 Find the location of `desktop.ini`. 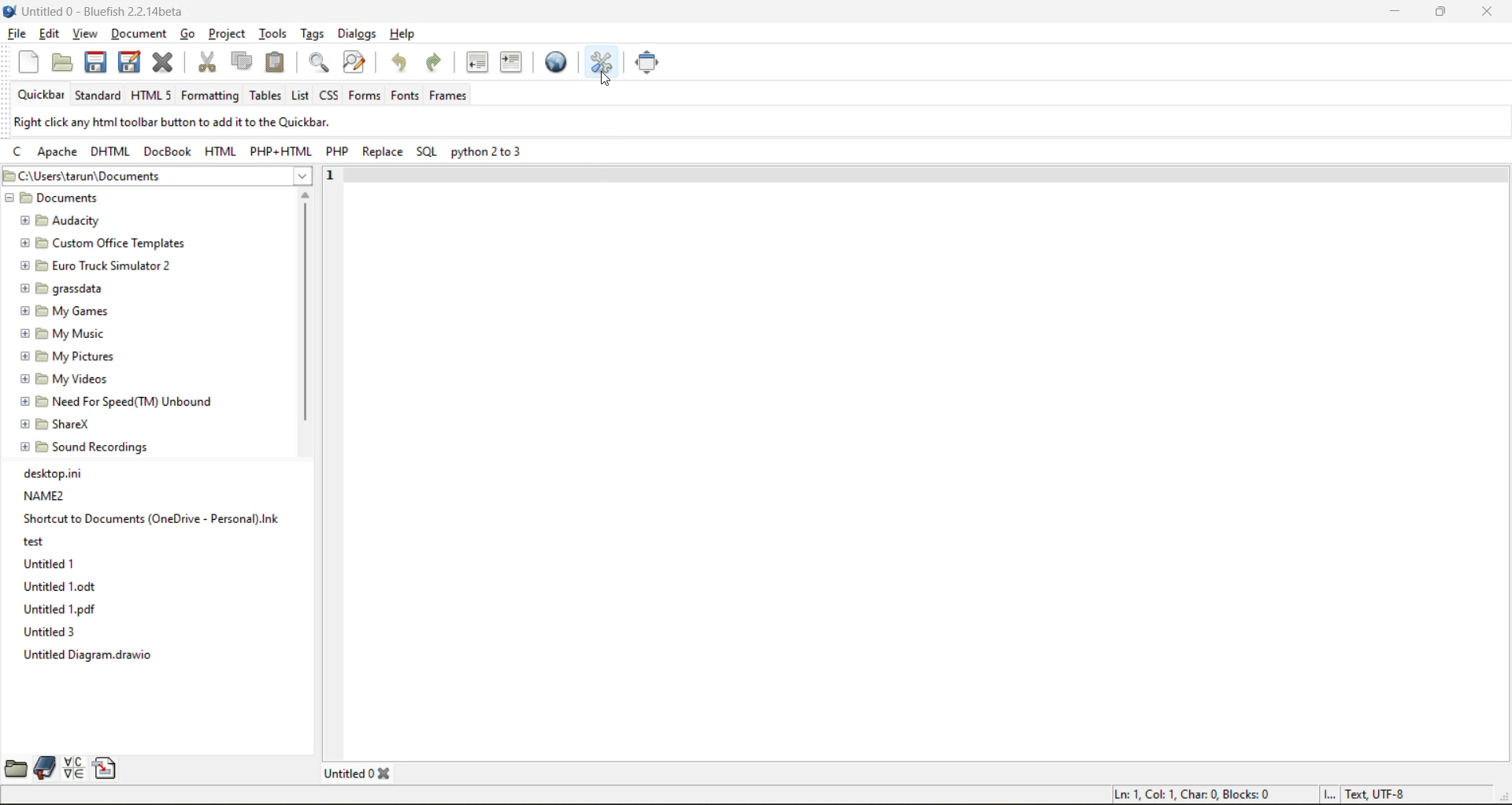

desktop.ini is located at coordinates (57, 473).